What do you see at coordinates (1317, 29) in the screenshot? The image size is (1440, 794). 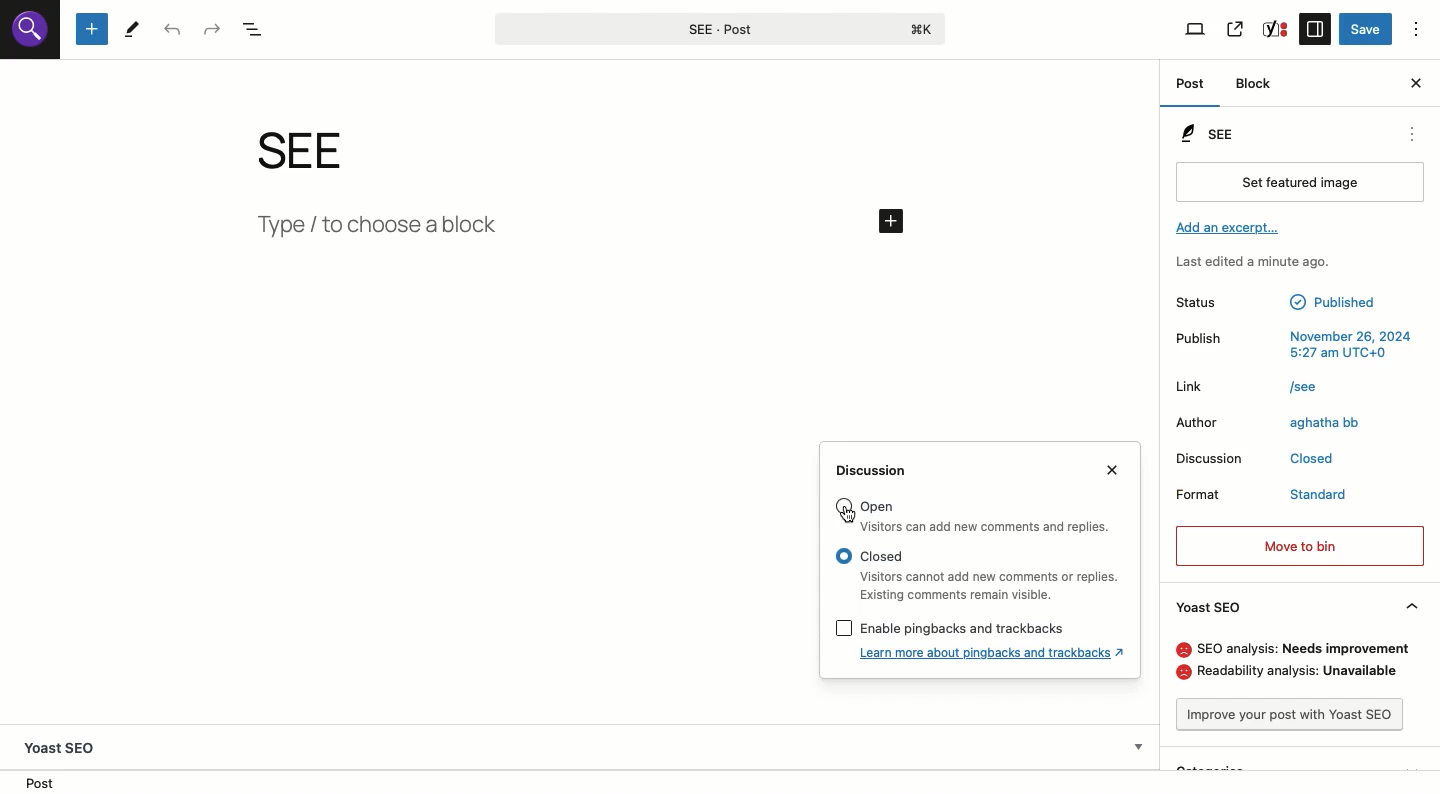 I see `Sidebar` at bounding box center [1317, 29].